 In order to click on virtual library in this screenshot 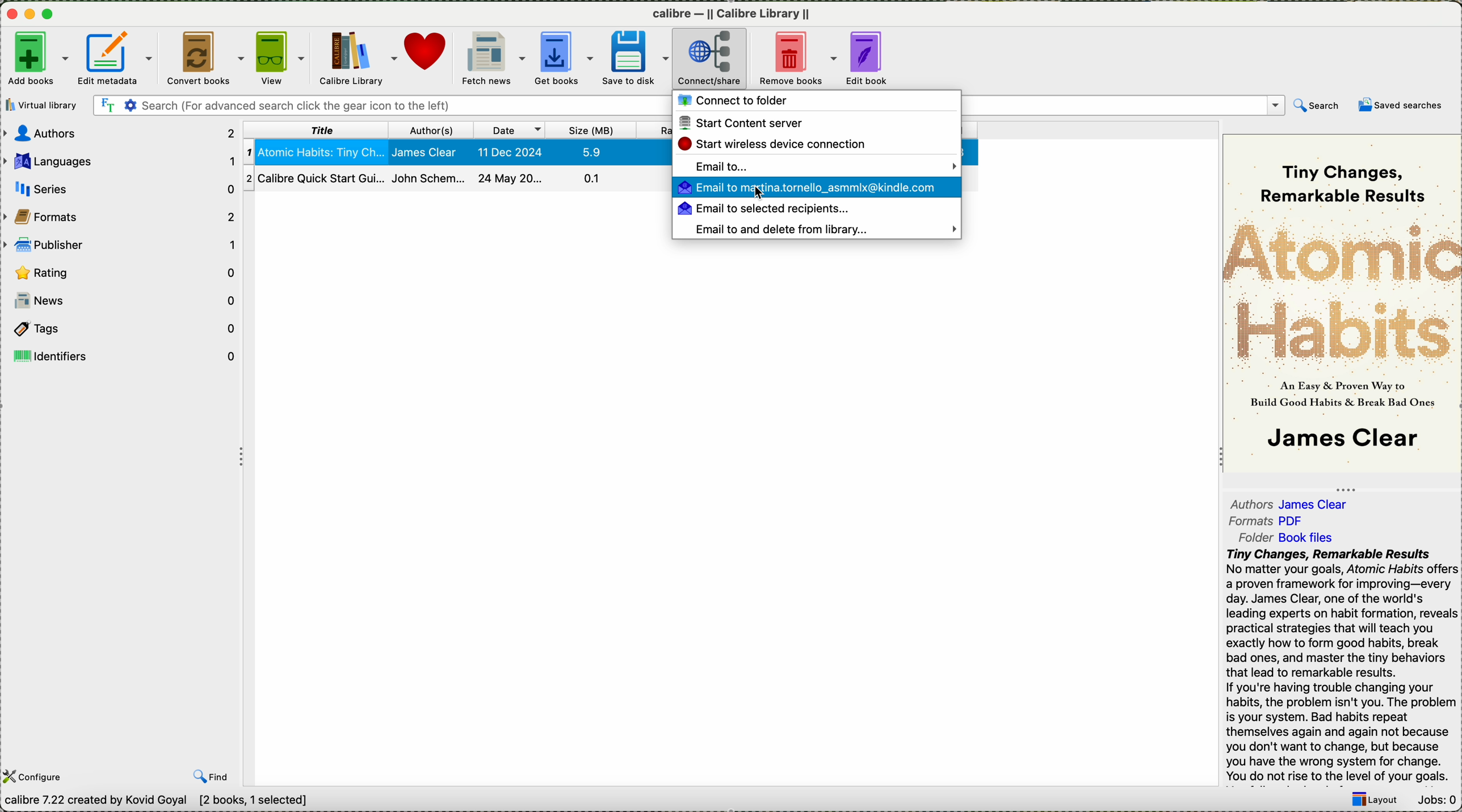, I will do `click(42, 105)`.